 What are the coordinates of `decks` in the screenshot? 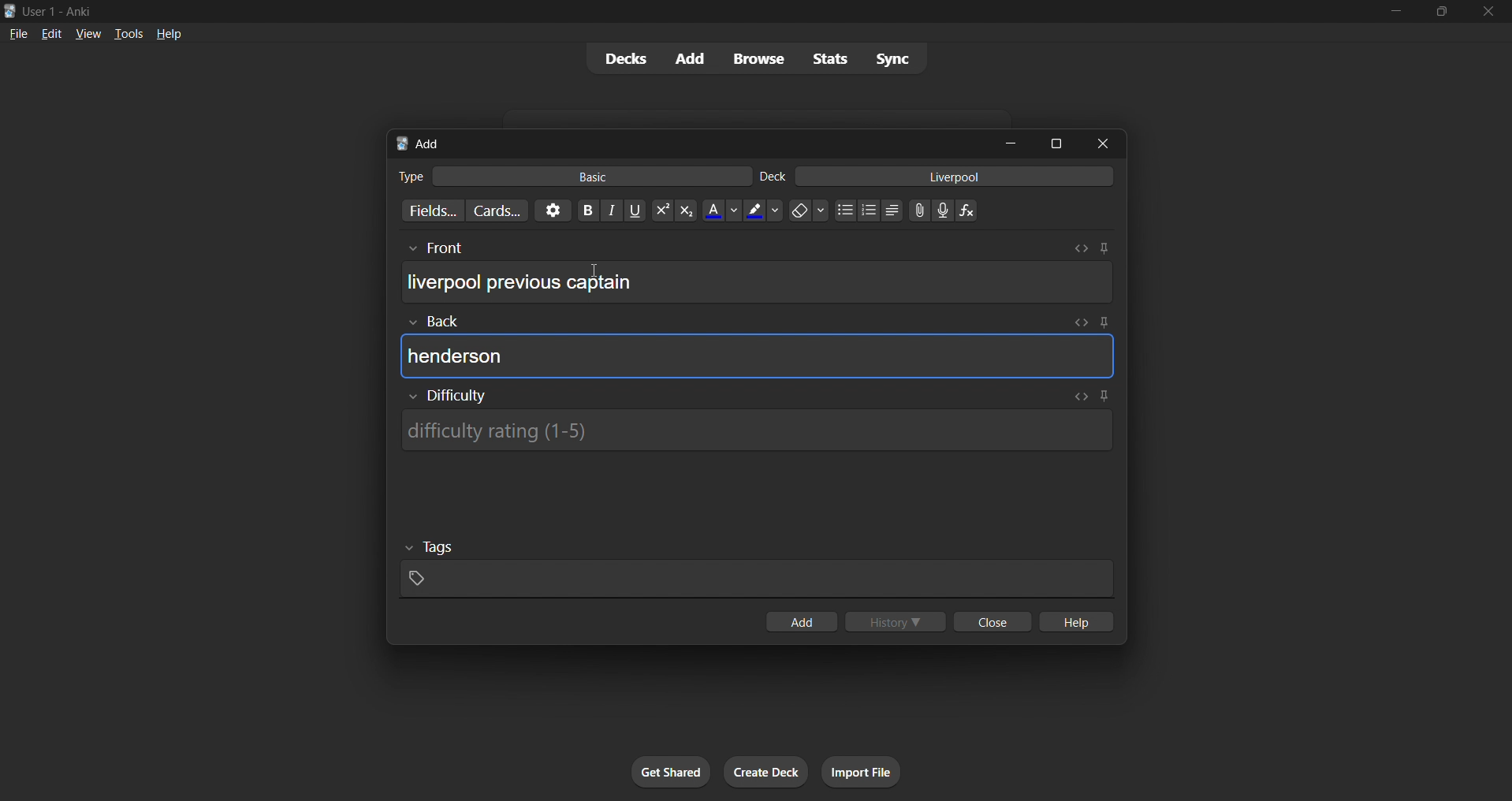 It's located at (619, 61).